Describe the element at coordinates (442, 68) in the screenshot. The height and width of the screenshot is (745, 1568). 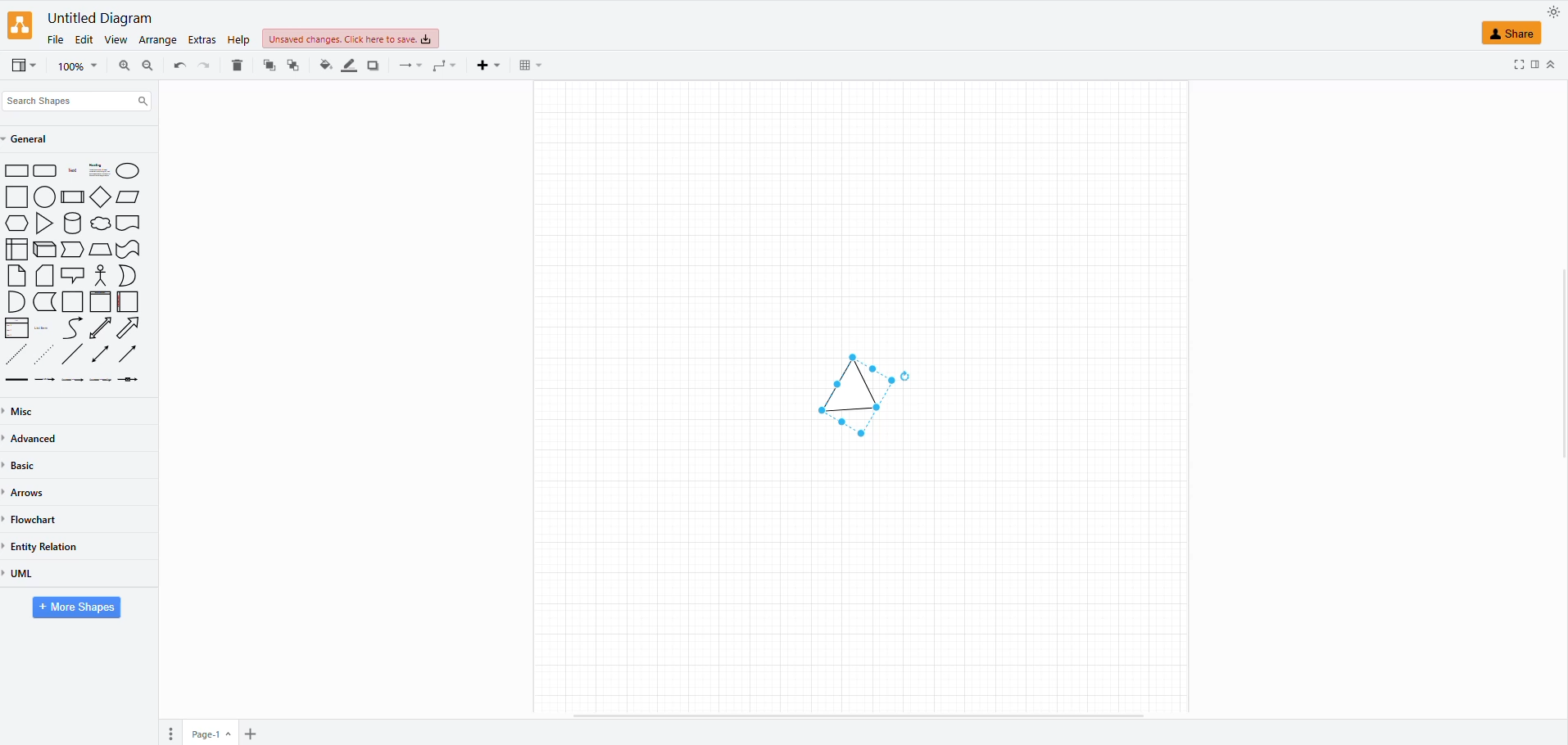
I see `waypoints` at that location.